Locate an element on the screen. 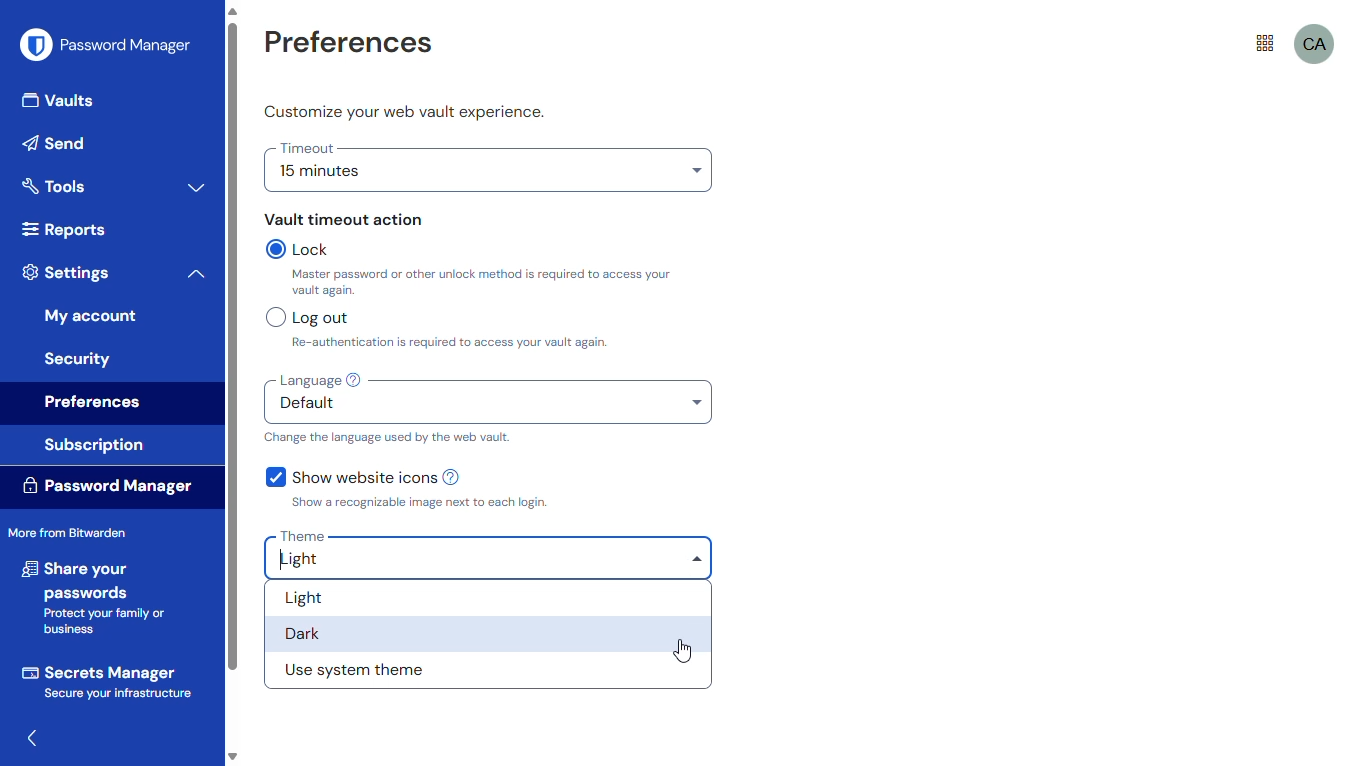 Image resolution: width=1366 pixels, height=766 pixels. password manager is located at coordinates (107, 484).